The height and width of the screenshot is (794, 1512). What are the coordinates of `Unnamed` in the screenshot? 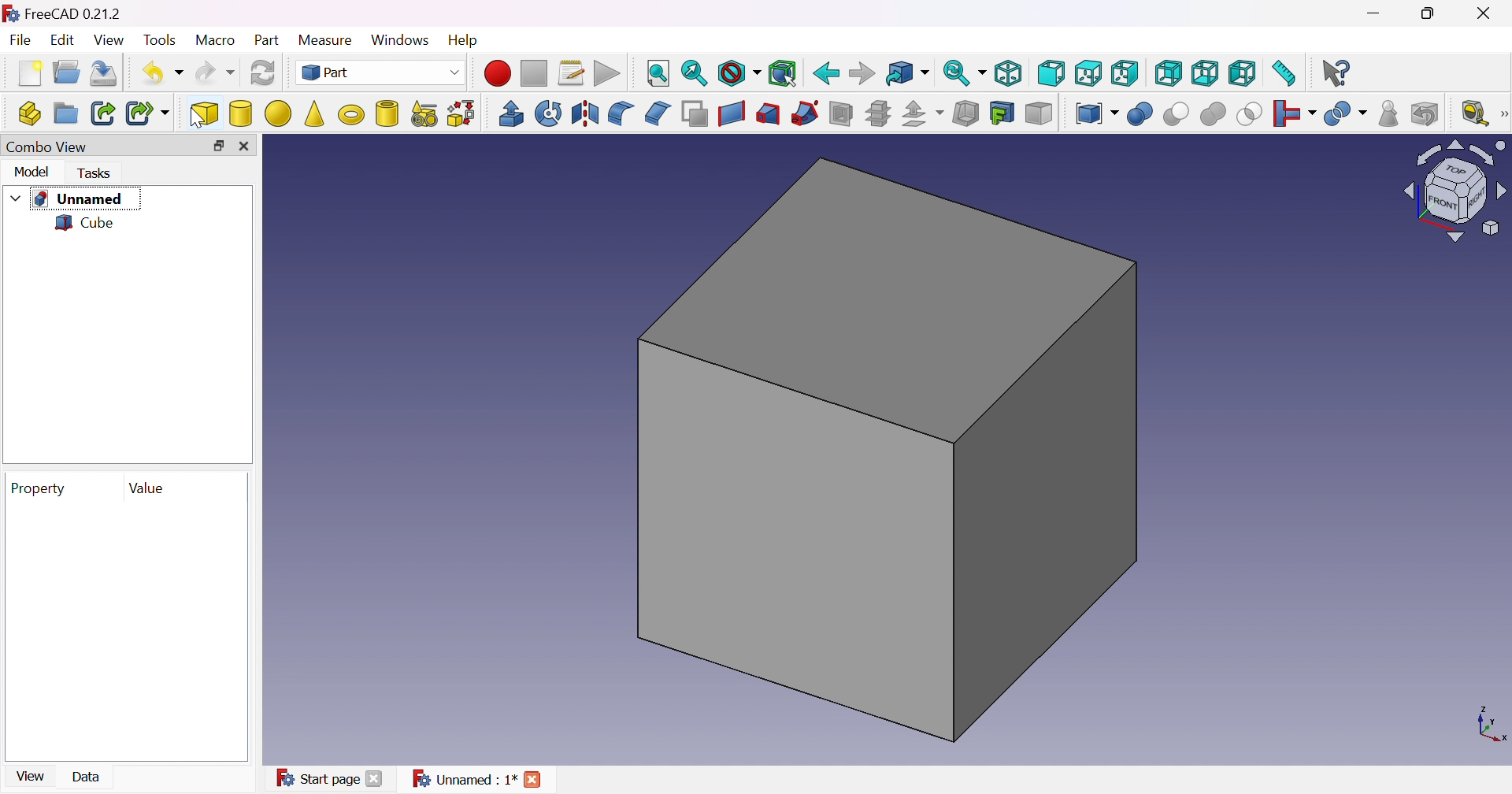 It's located at (78, 199).